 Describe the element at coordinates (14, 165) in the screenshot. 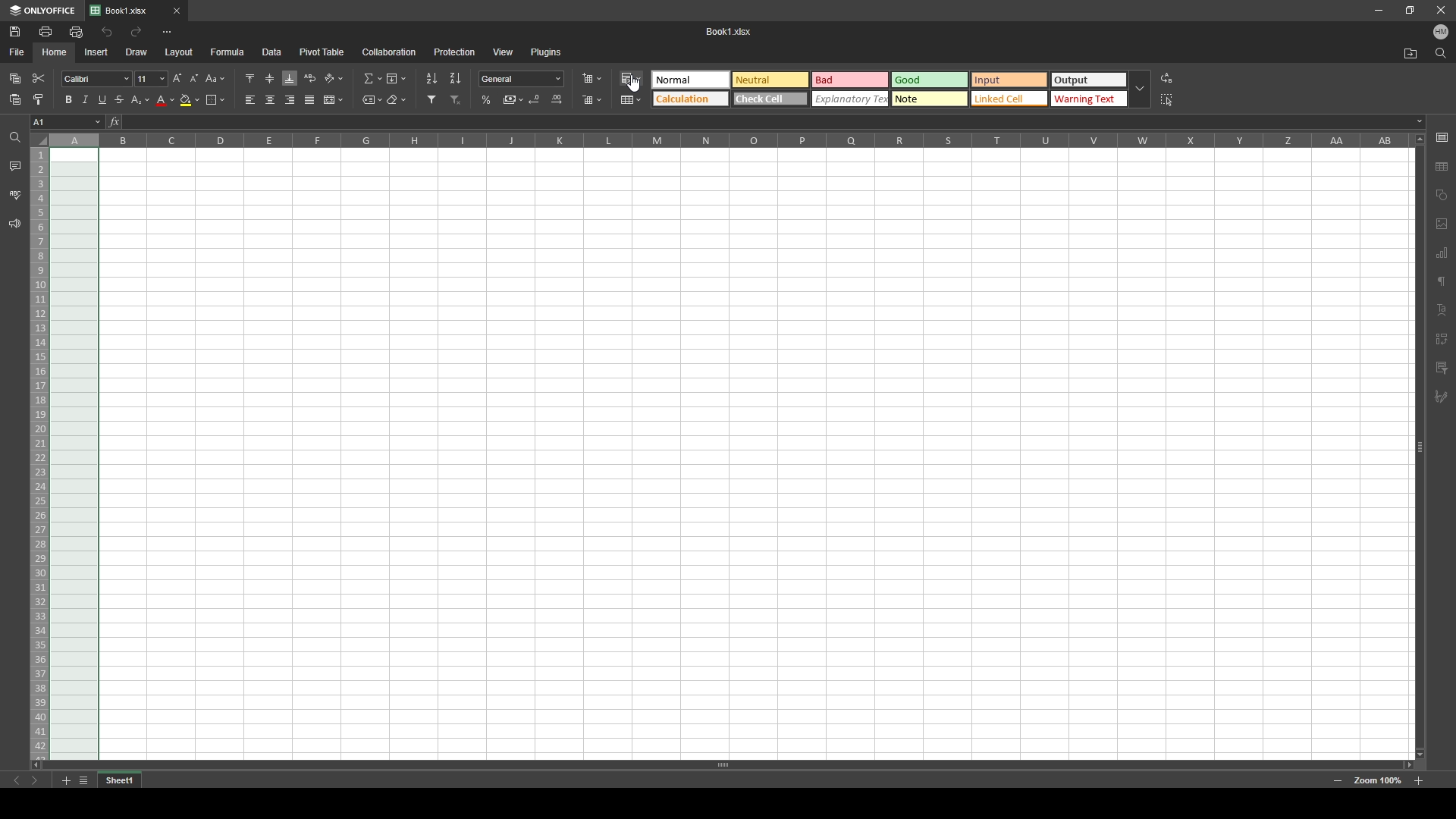

I see `comment` at that location.